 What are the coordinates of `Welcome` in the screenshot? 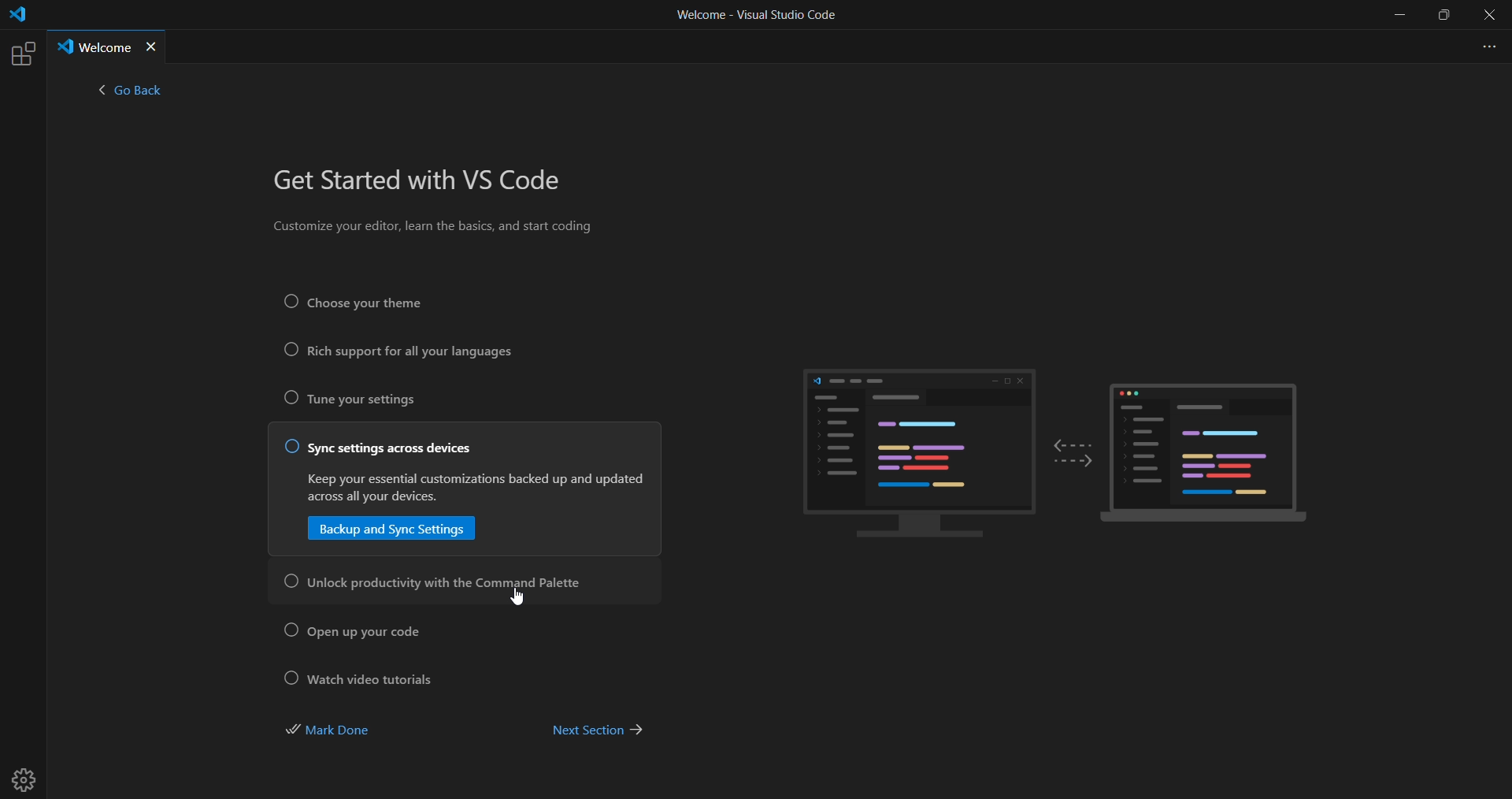 It's located at (93, 46).